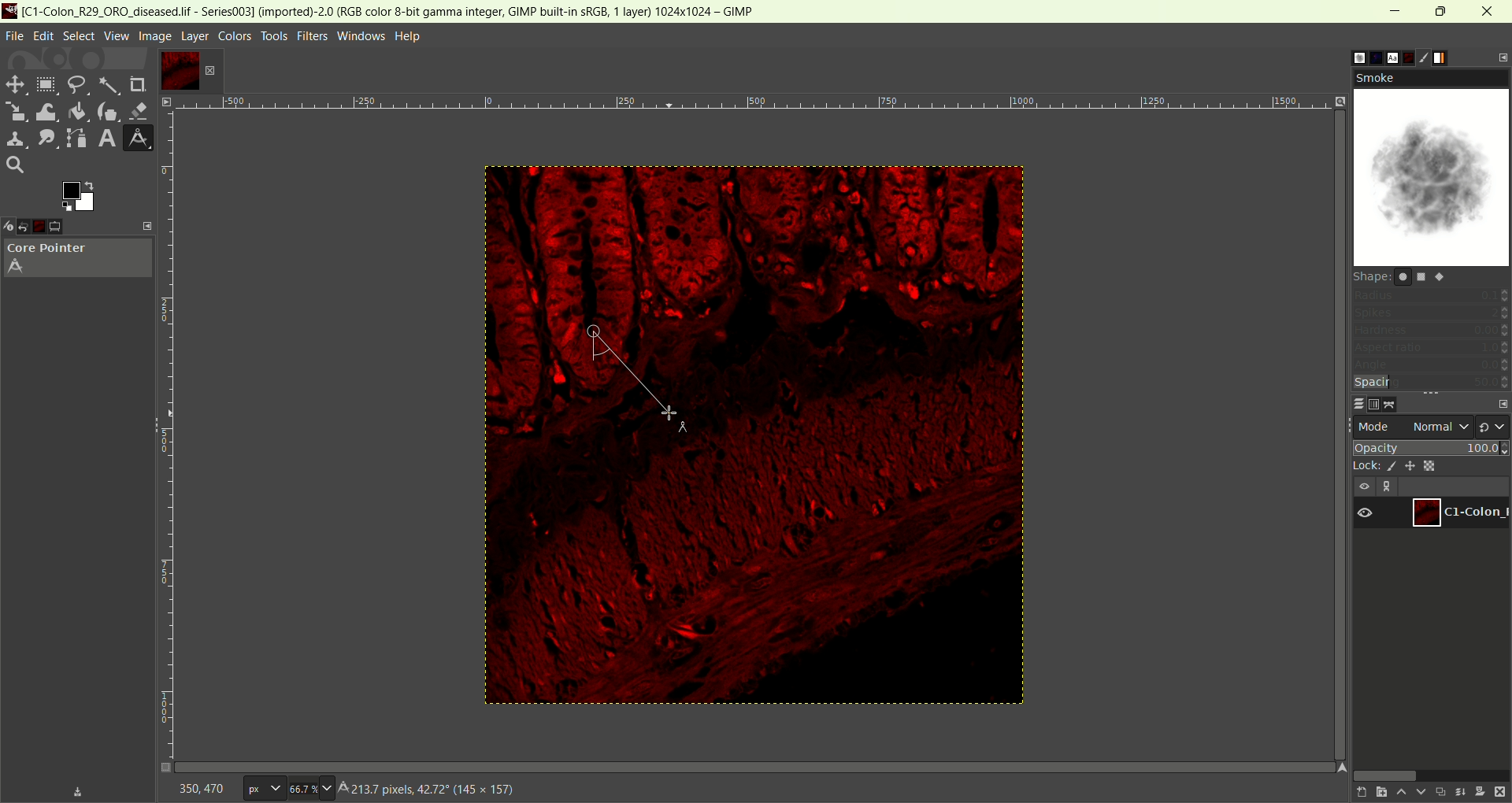  I want to click on layer1, so click(1458, 513).